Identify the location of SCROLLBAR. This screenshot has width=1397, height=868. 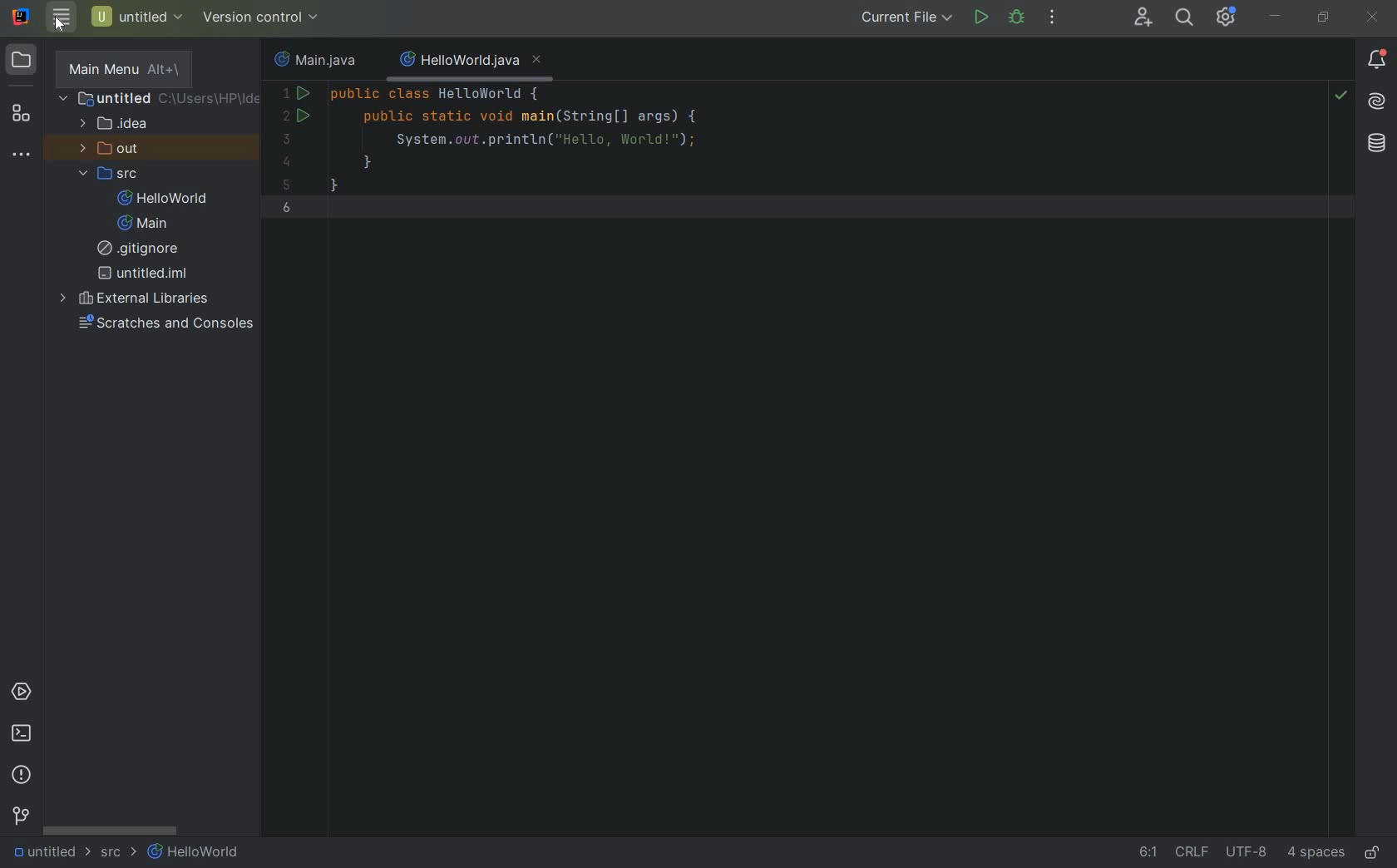
(111, 830).